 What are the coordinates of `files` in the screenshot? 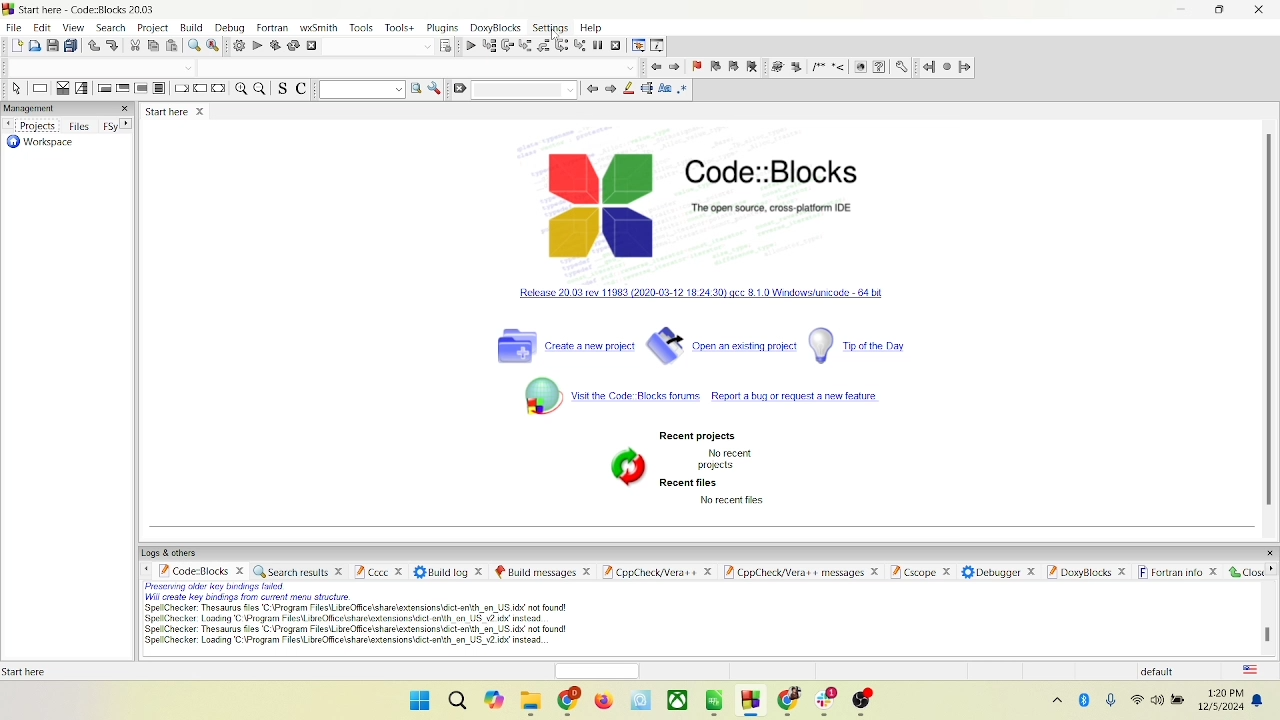 It's located at (80, 125).